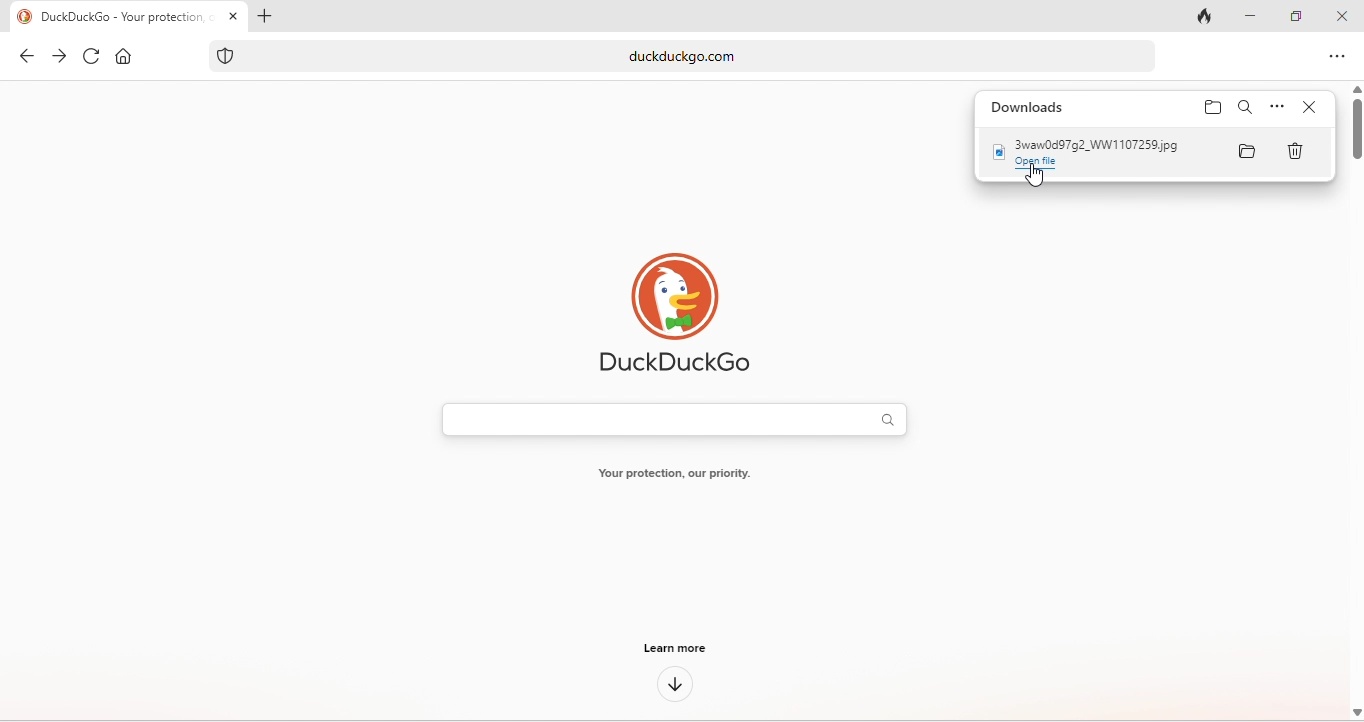 Image resolution: width=1364 pixels, height=722 pixels. What do you see at coordinates (682, 306) in the screenshot?
I see ` duck duck go logo` at bounding box center [682, 306].